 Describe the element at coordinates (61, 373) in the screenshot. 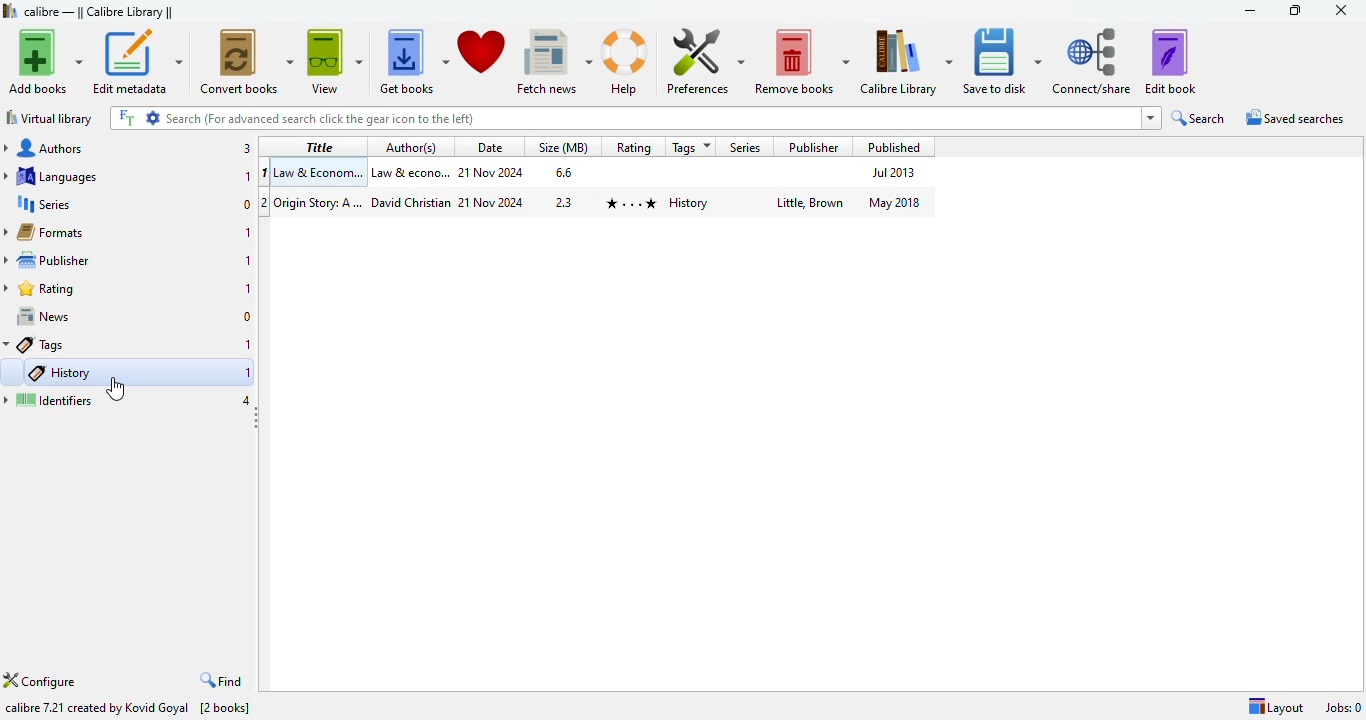

I see `history` at that location.